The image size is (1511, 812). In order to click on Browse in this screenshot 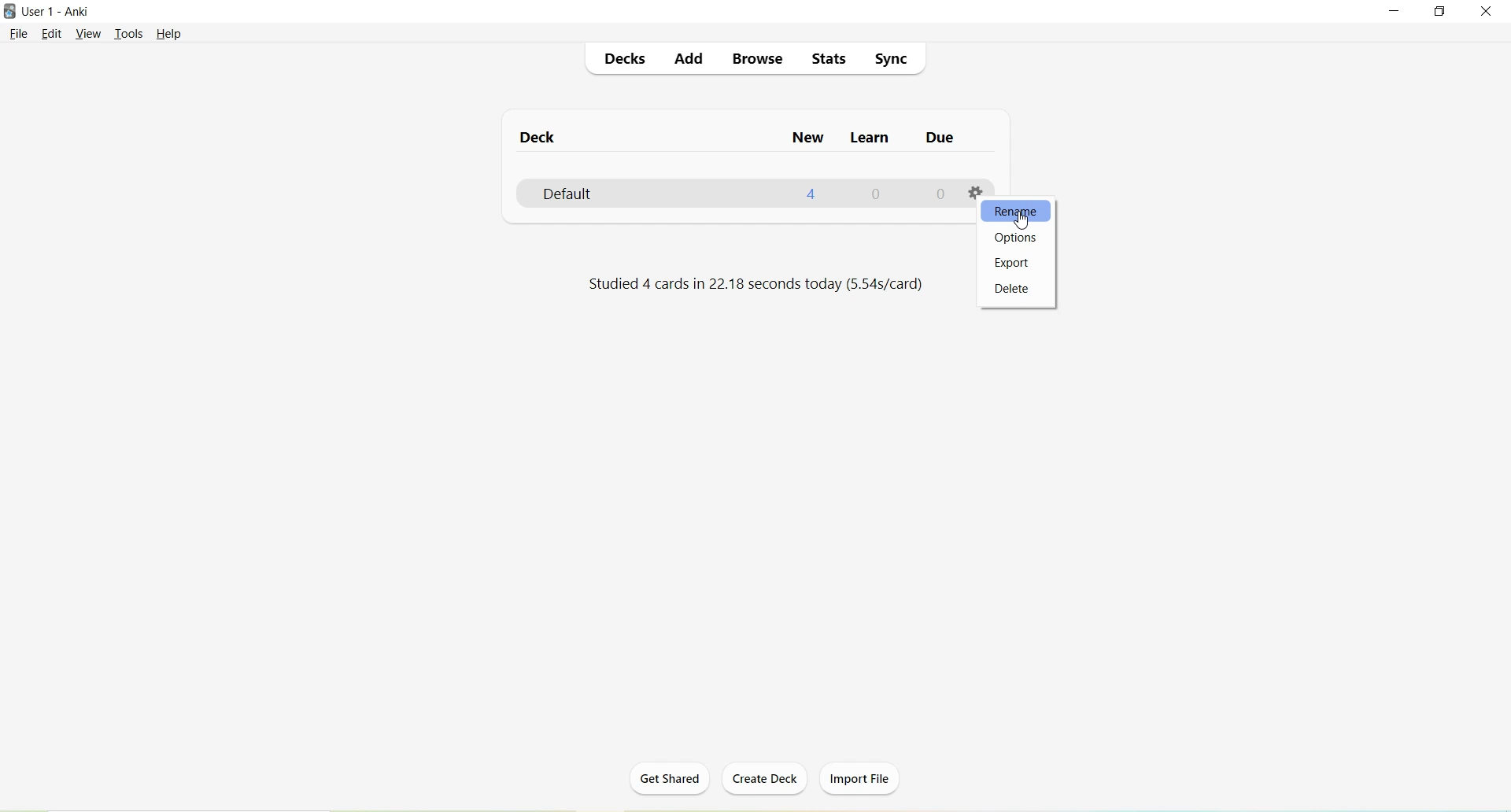, I will do `click(759, 61)`.